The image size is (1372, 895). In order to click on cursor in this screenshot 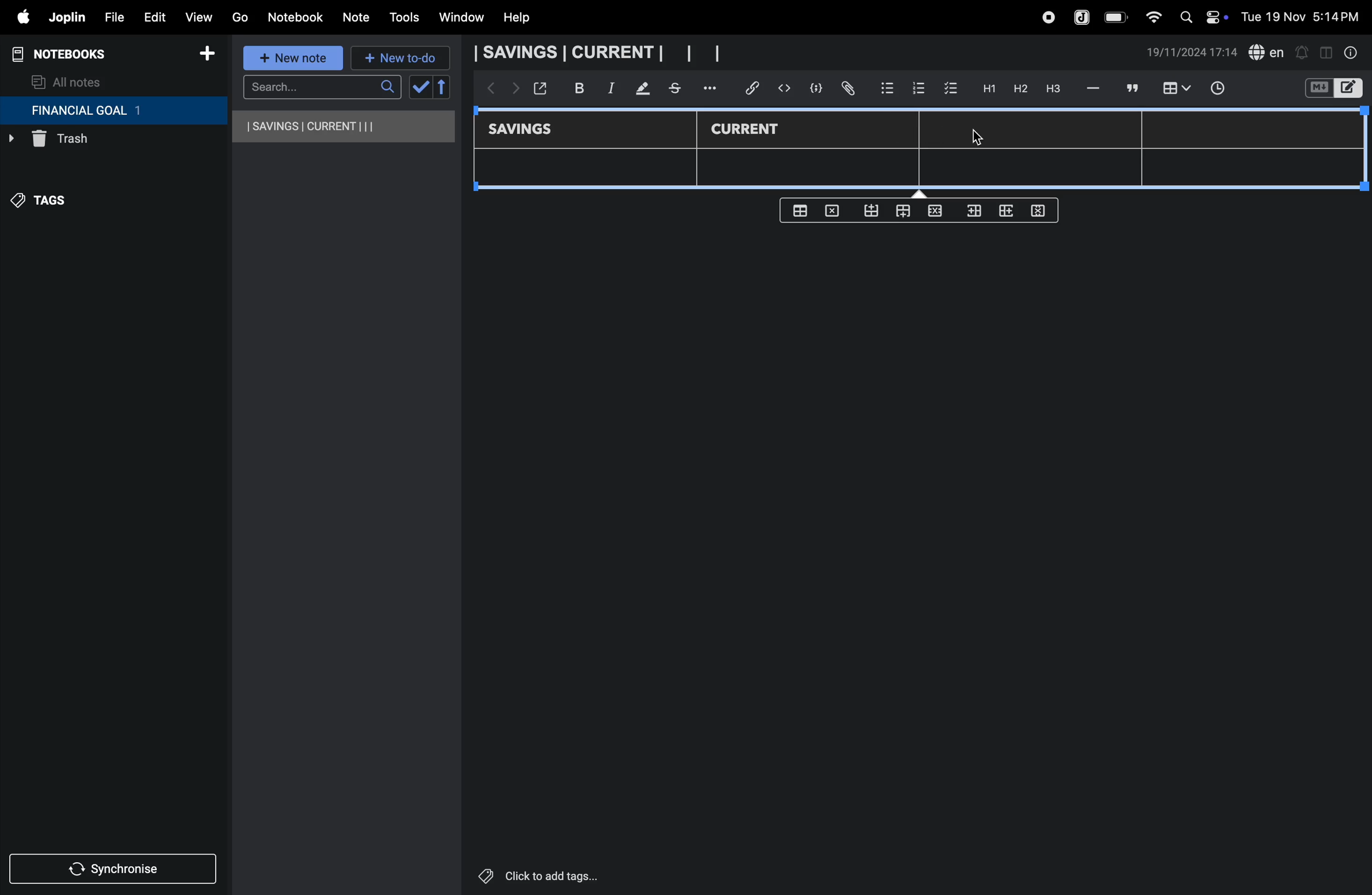, I will do `click(975, 137)`.